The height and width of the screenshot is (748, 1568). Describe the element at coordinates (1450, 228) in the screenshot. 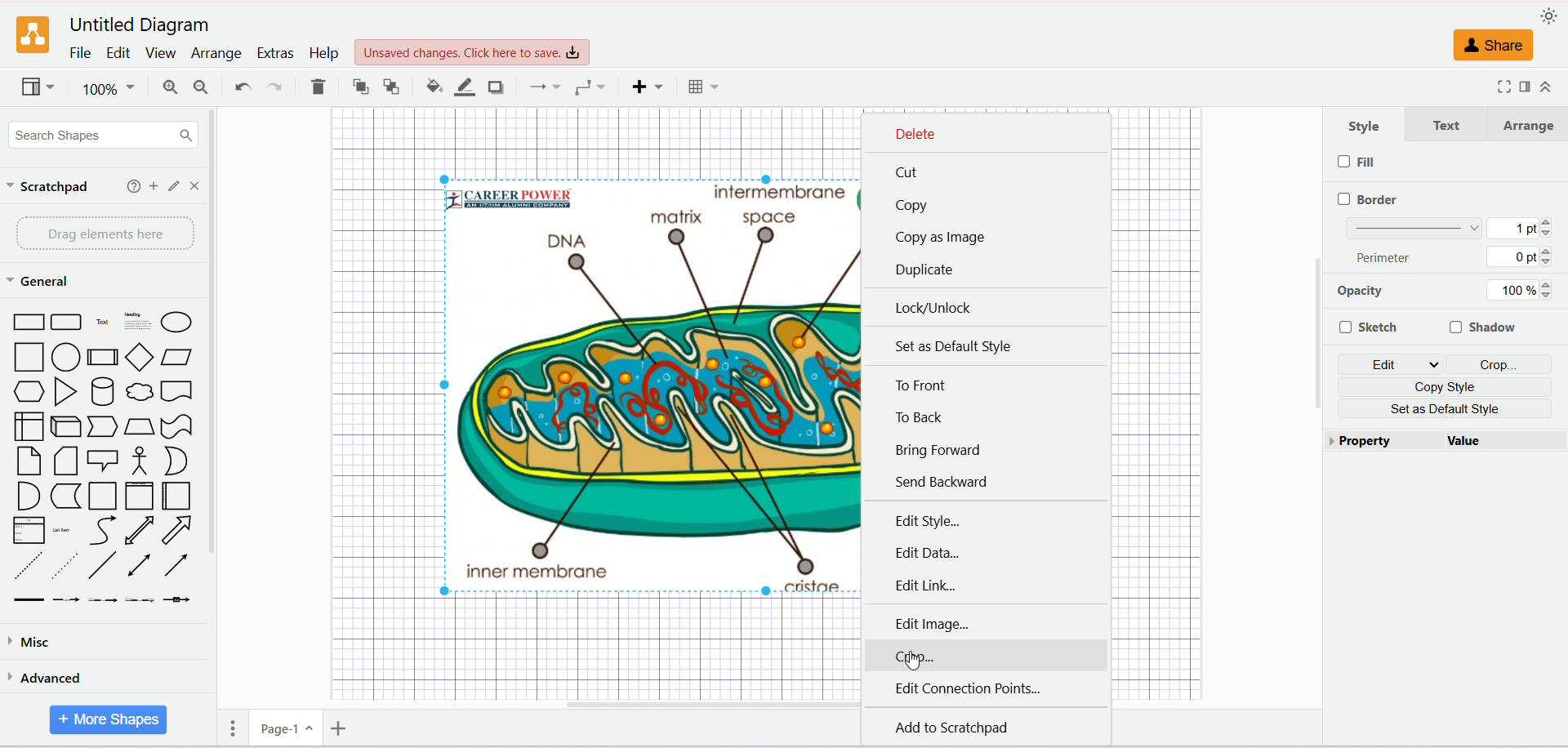

I see `border thickness` at that location.